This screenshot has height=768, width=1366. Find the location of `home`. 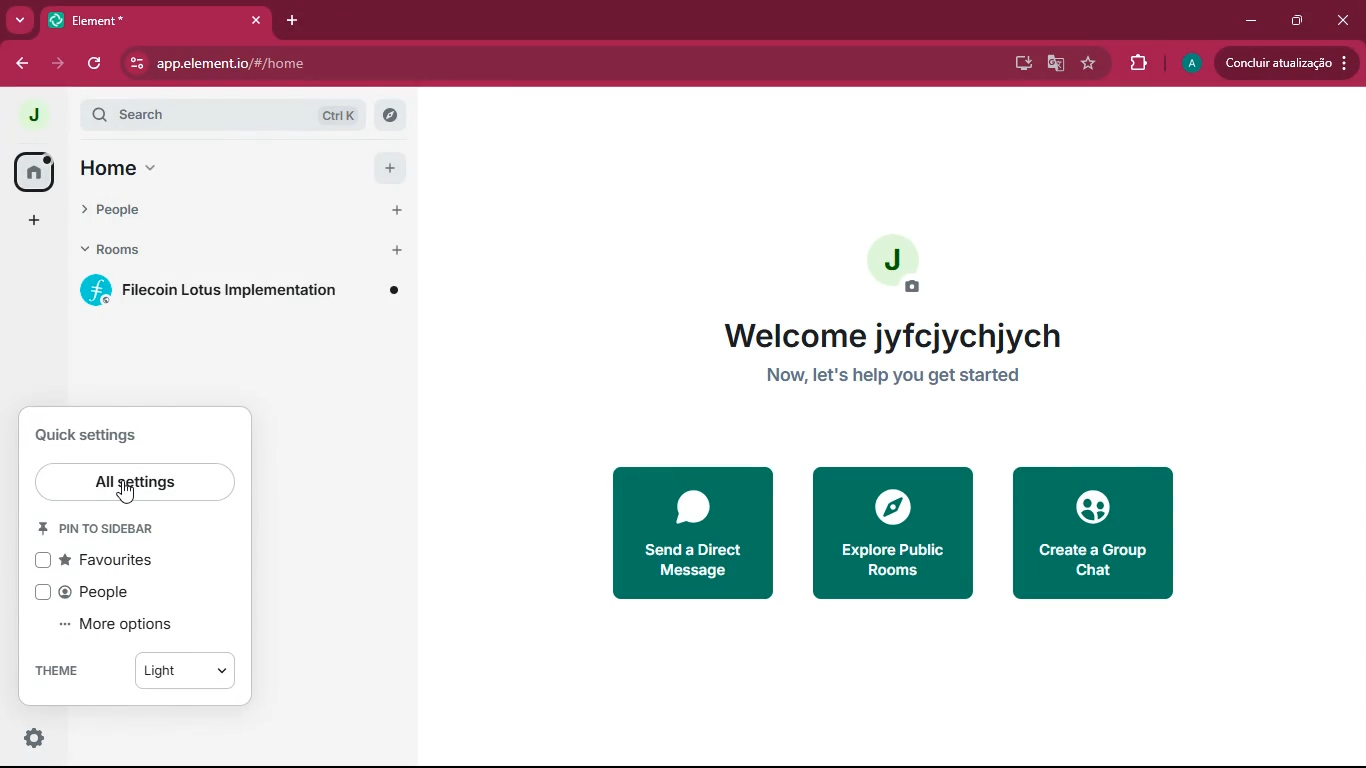

home is located at coordinates (218, 170).